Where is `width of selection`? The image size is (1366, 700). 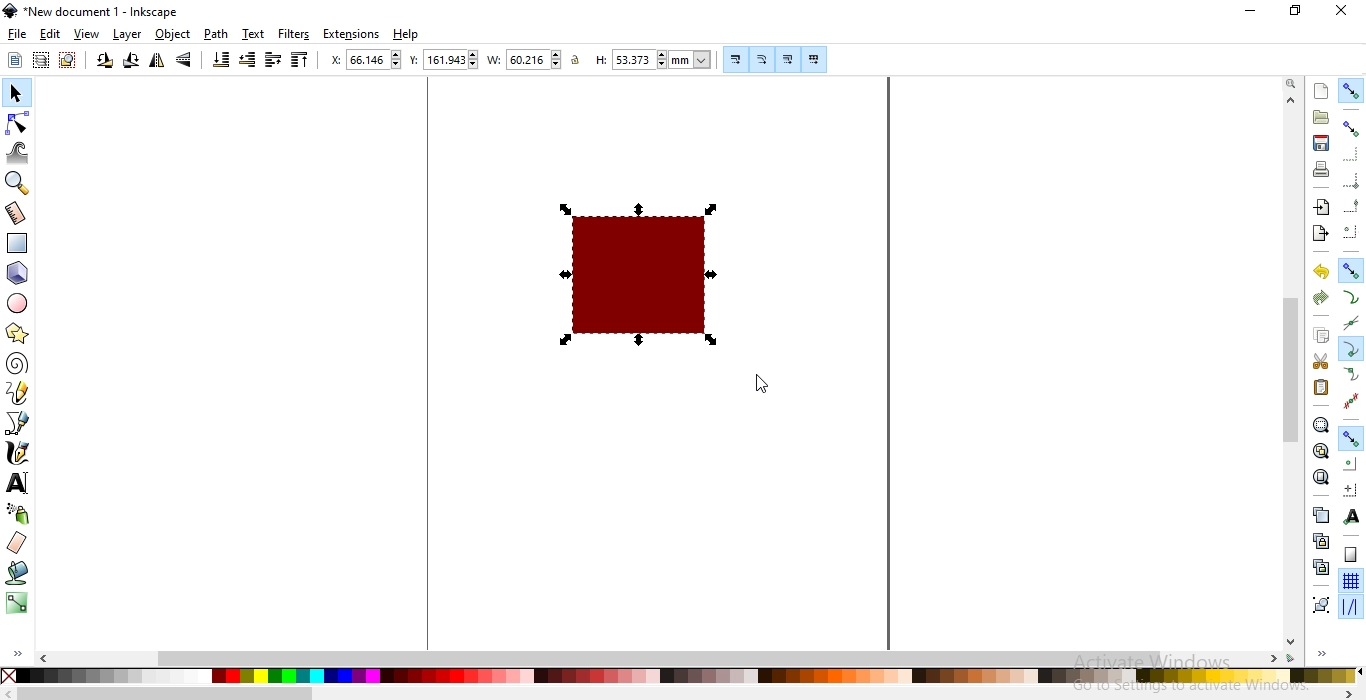 width of selection is located at coordinates (496, 60).